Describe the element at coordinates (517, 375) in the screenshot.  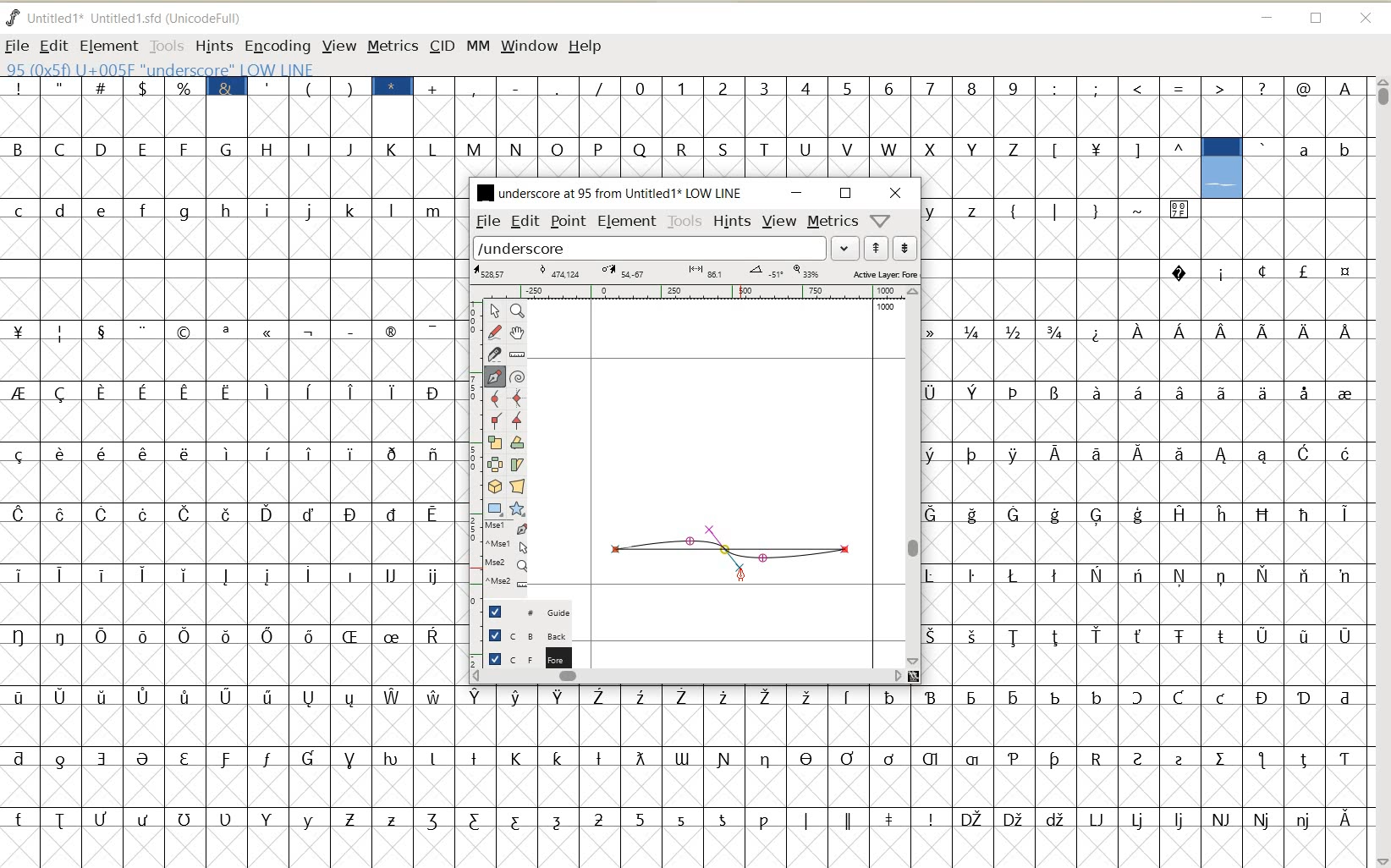
I see `change whether spiro is active or not` at that location.